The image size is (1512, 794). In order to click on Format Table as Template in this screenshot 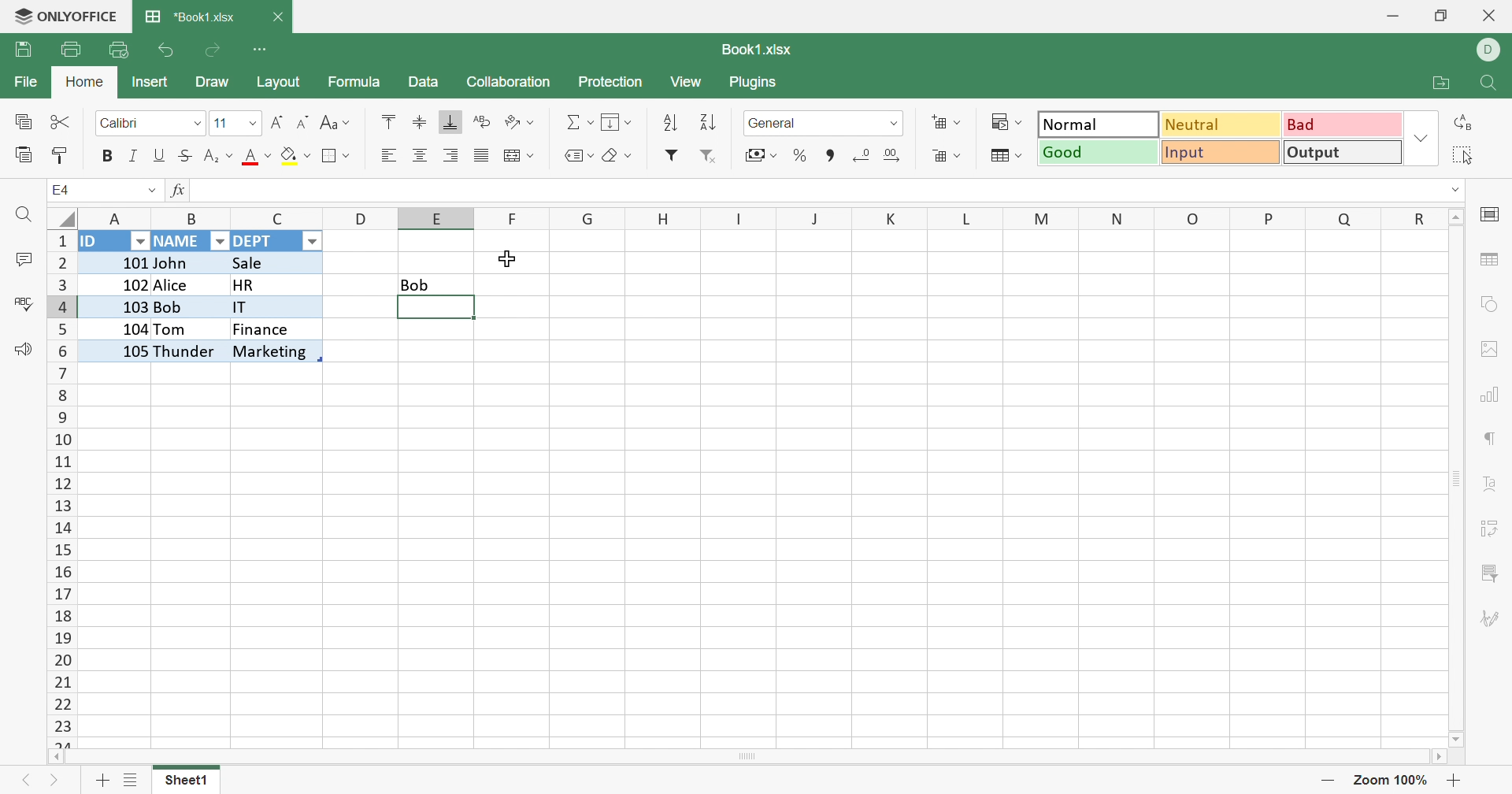, I will do `click(1003, 155)`.